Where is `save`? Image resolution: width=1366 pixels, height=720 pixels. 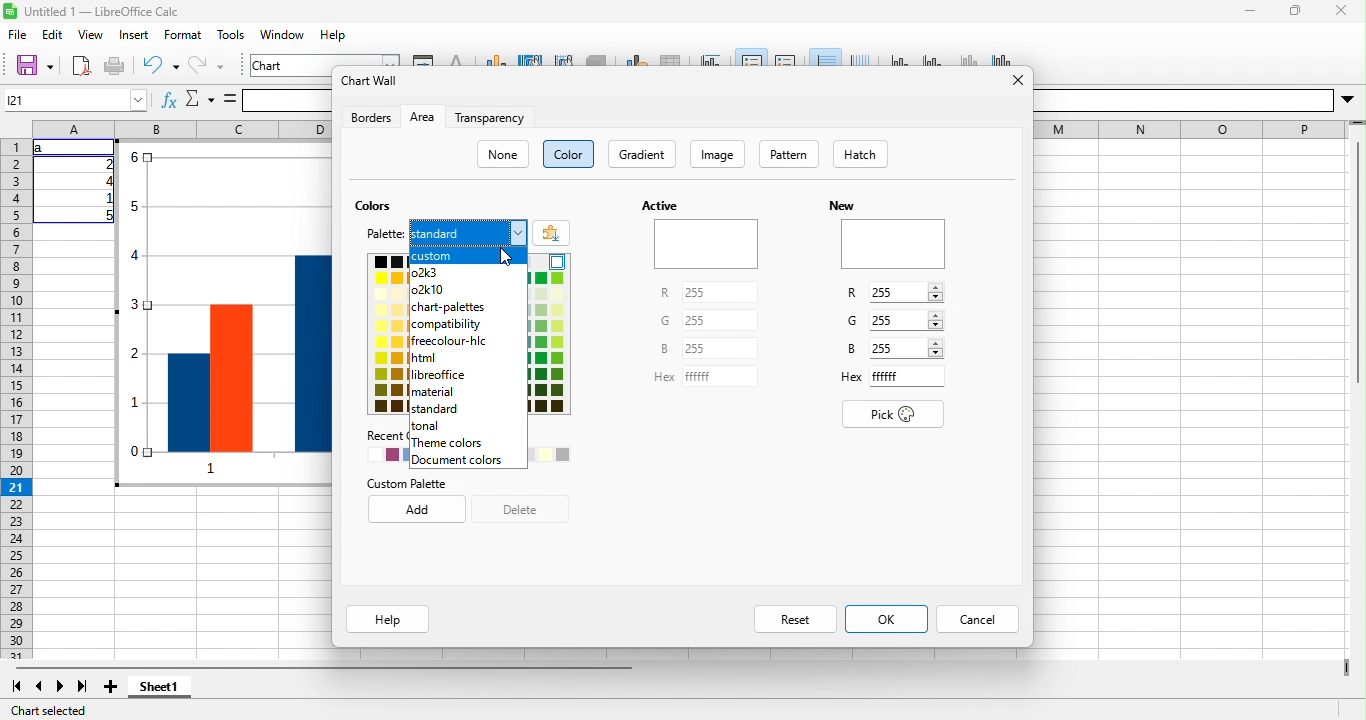 save is located at coordinates (34, 66).